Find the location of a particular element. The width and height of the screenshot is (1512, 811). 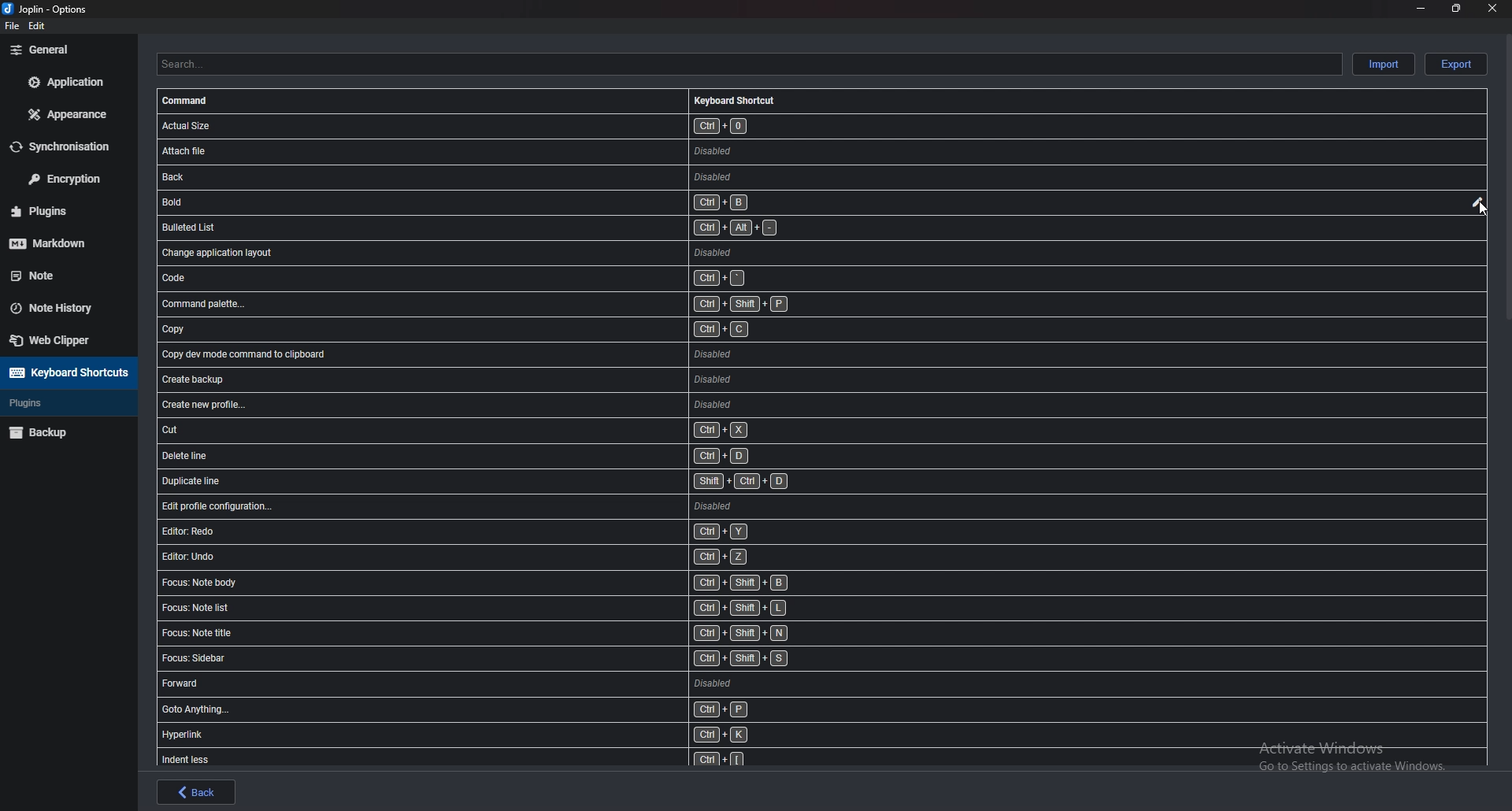

shortcut is located at coordinates (480, 279).